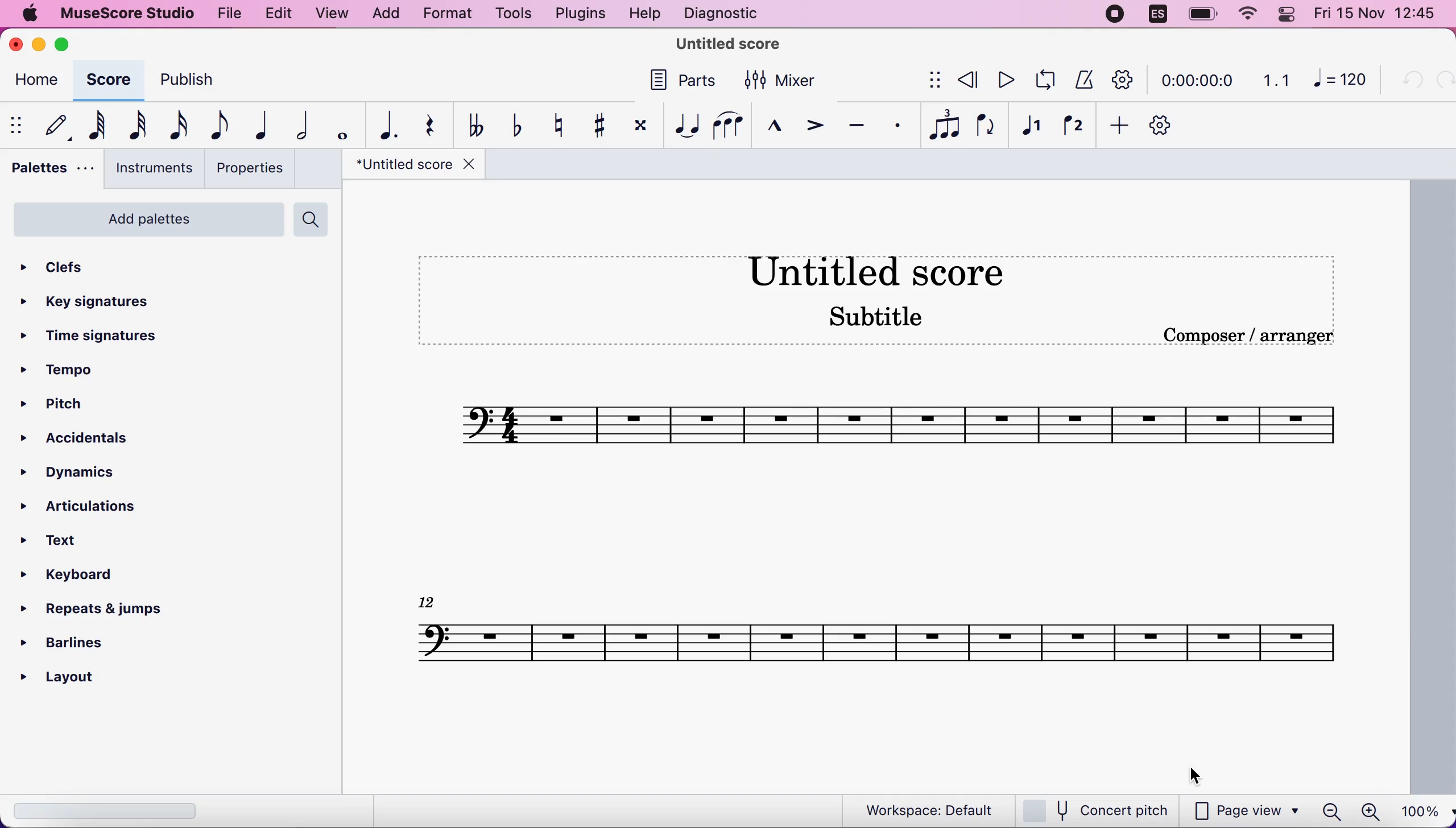 This screenshot has width=1456, height=828. Describe the element at coordinates (1342, 82) in the screenshot. I see `0` at that location.